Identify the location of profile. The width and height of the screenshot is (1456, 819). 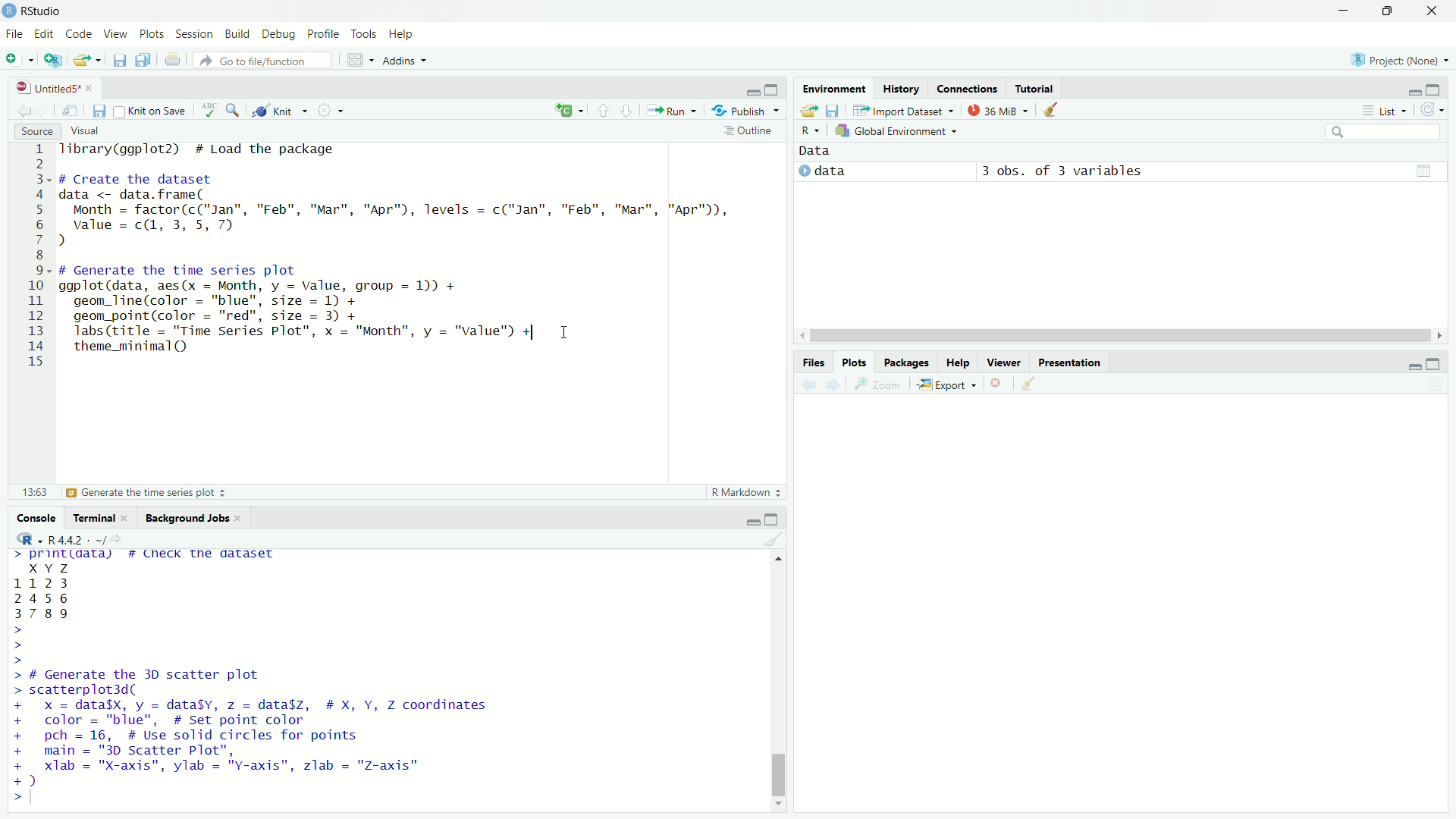
(325, 34).